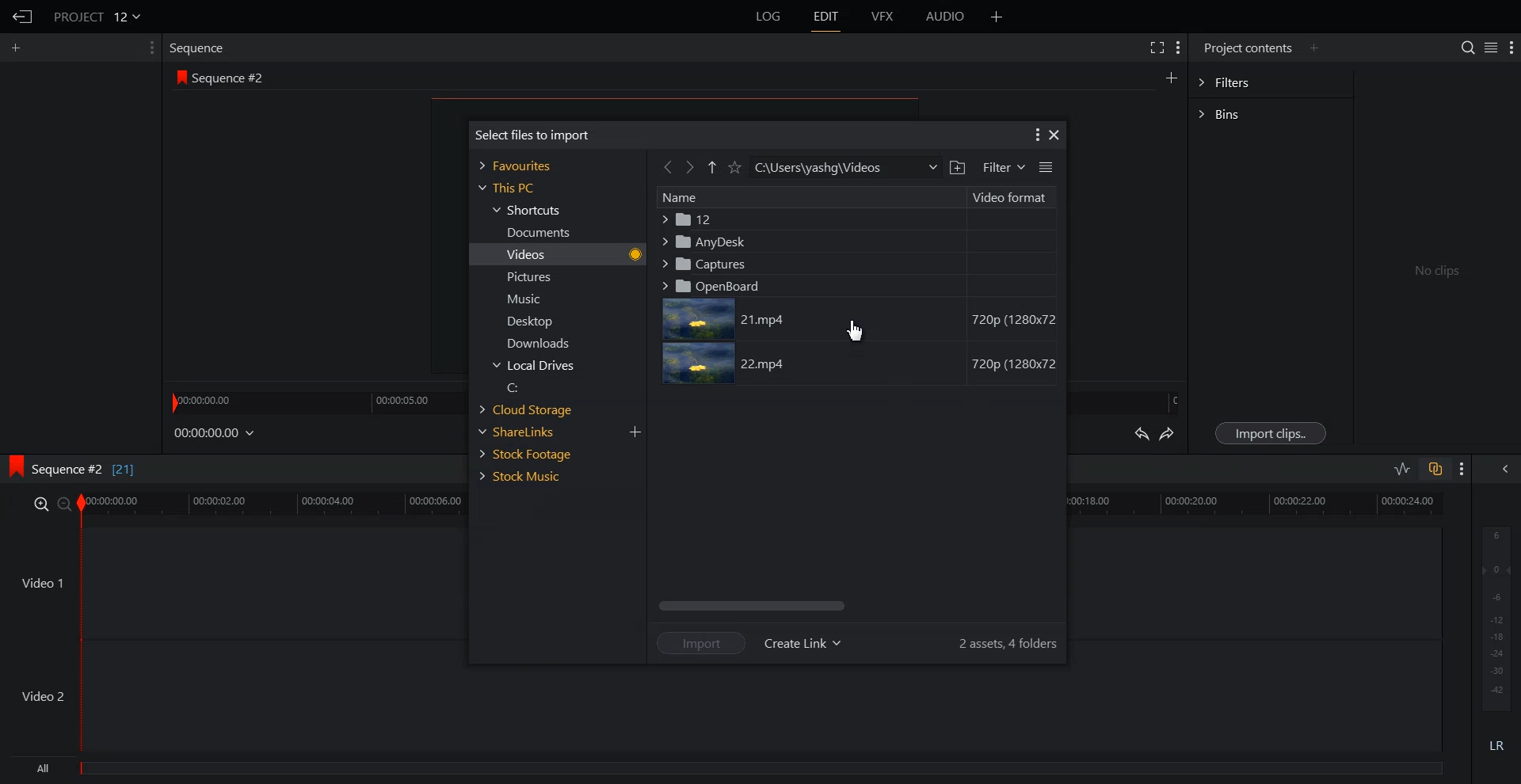  What do you see at coordinates (533, 409) in the screenshot?
I see `Cloud Storage` at bounding box center [533, 409].